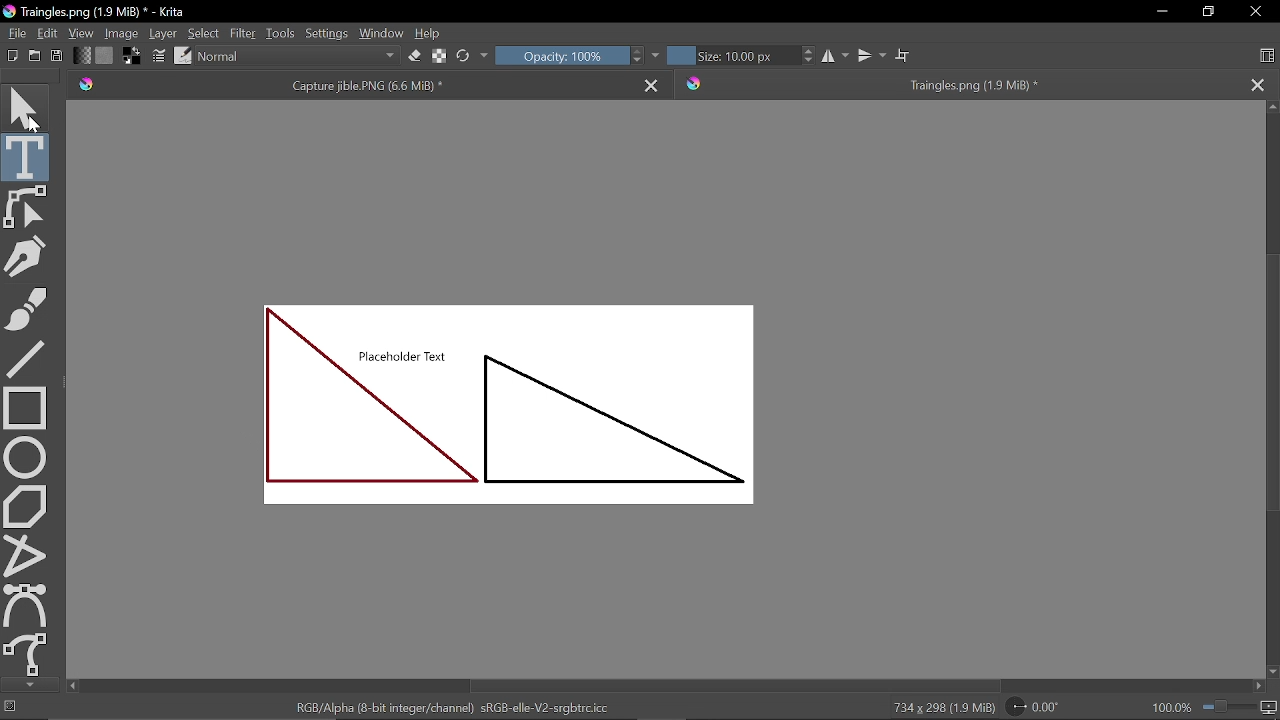 This screenshot has width=1280, height=720. Describe the element at coordinates (16, 34) in the screenshot. I see `File` at that location.